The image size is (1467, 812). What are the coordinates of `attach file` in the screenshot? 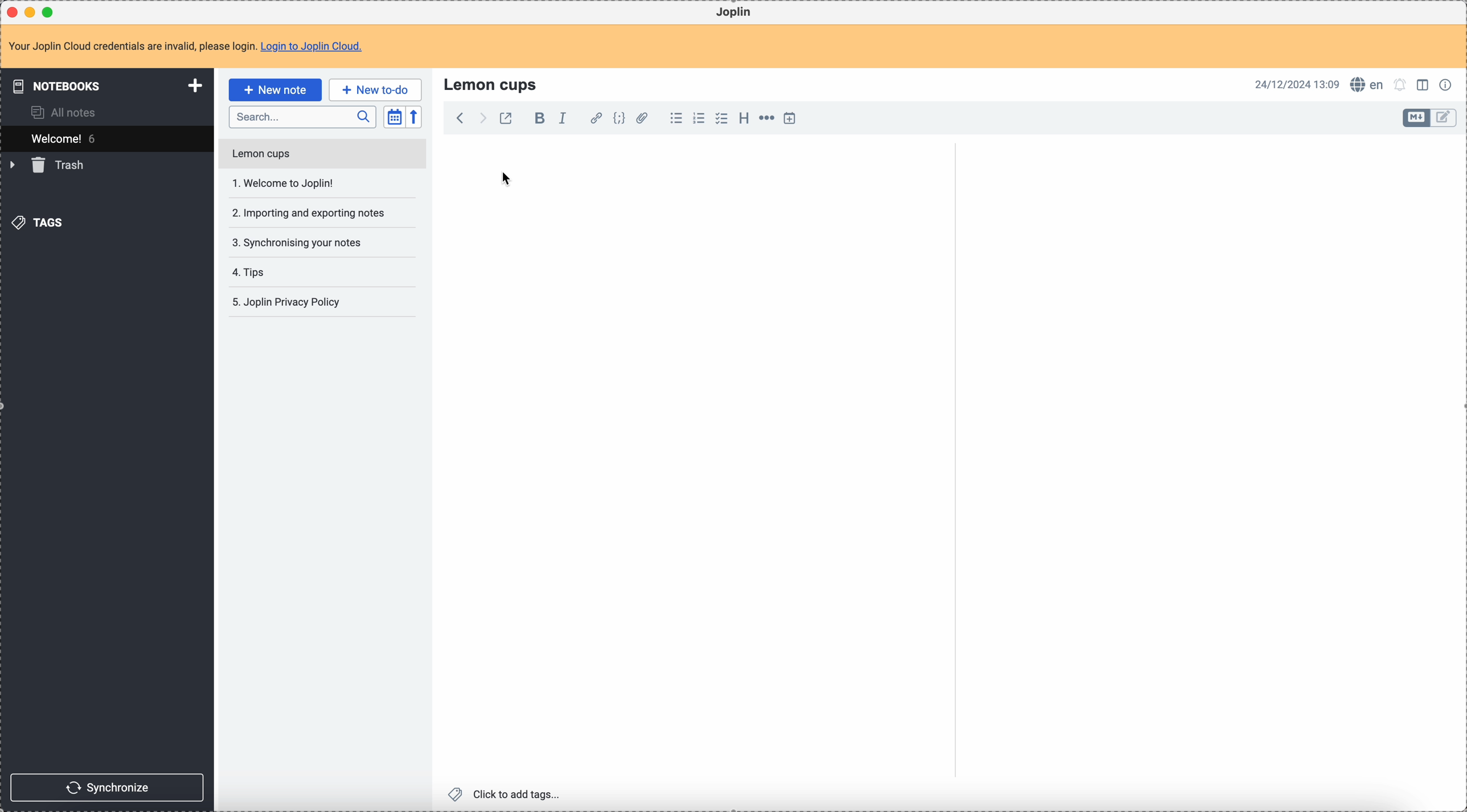 It's located at (640, 119).